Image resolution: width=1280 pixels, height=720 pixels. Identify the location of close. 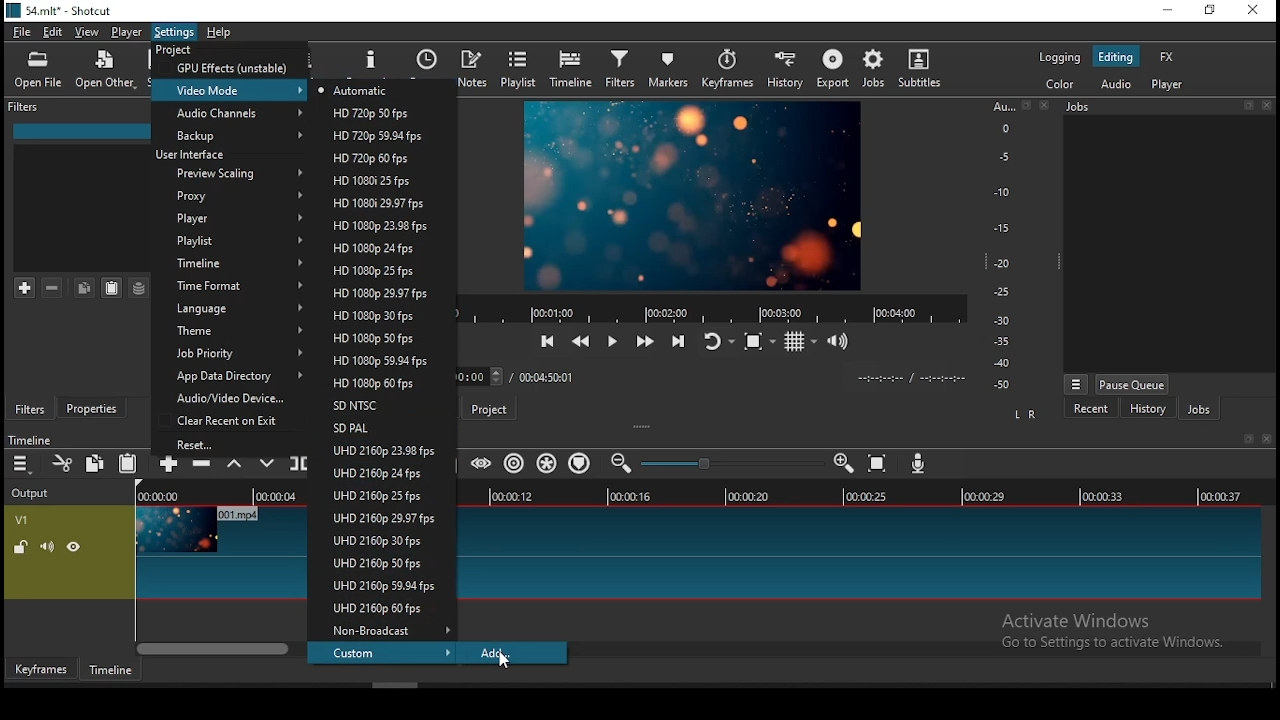
(1047, 105).